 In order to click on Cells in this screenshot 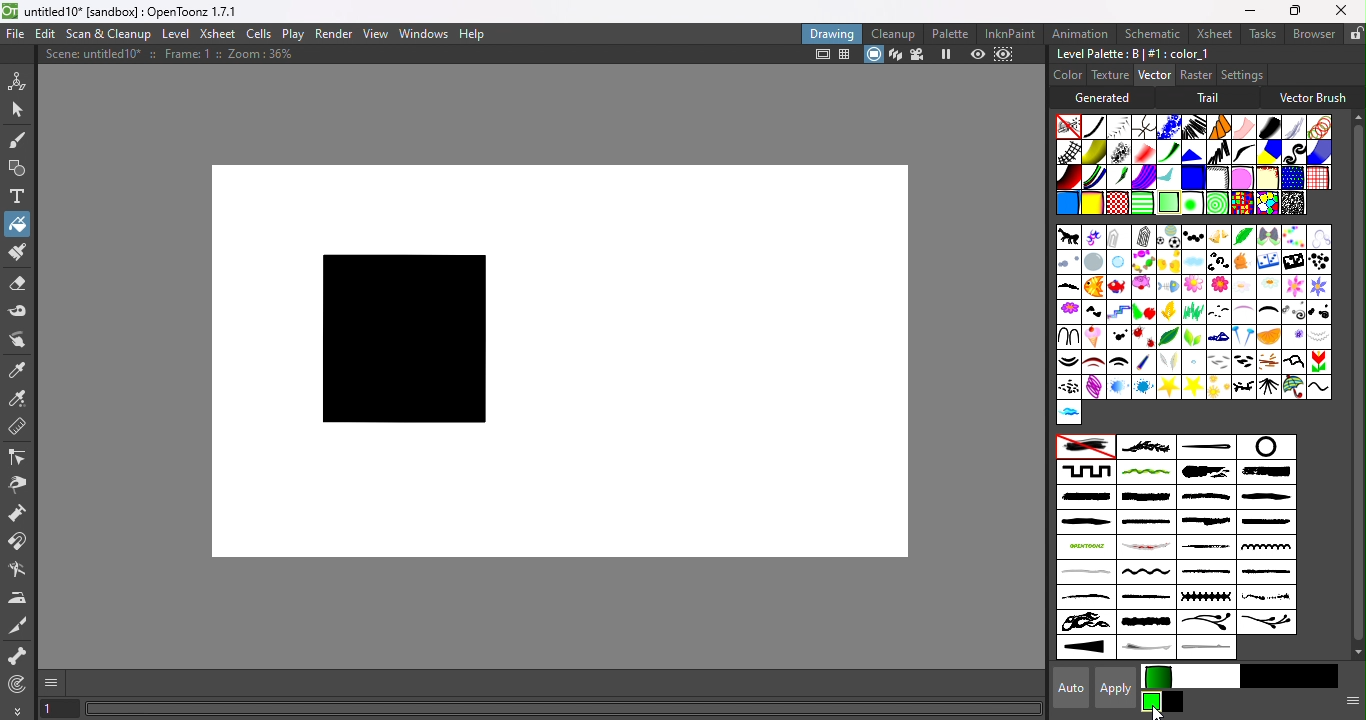, I will do `click(258, 35)`.